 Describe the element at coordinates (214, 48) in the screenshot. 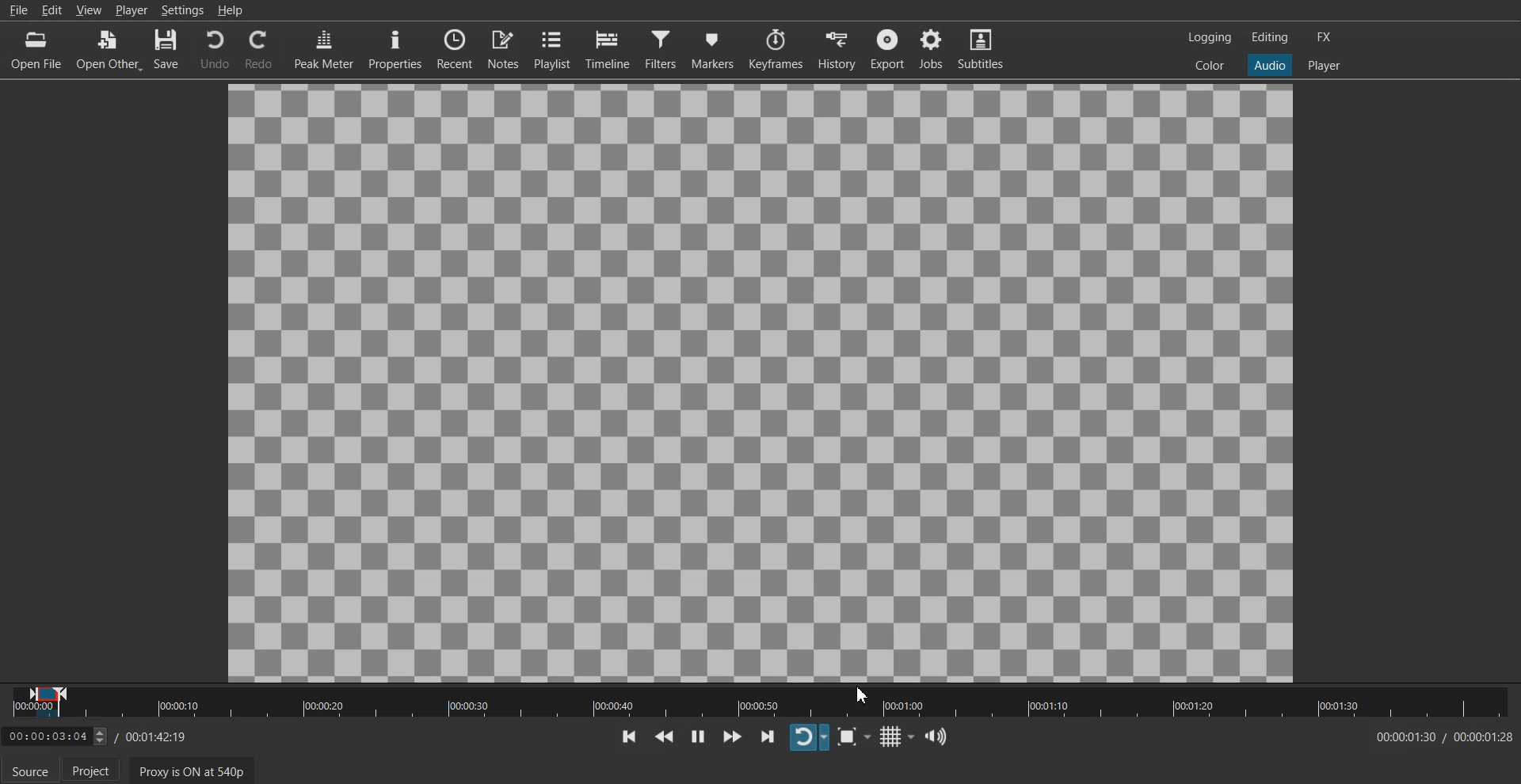

I see `Undo` at that location.